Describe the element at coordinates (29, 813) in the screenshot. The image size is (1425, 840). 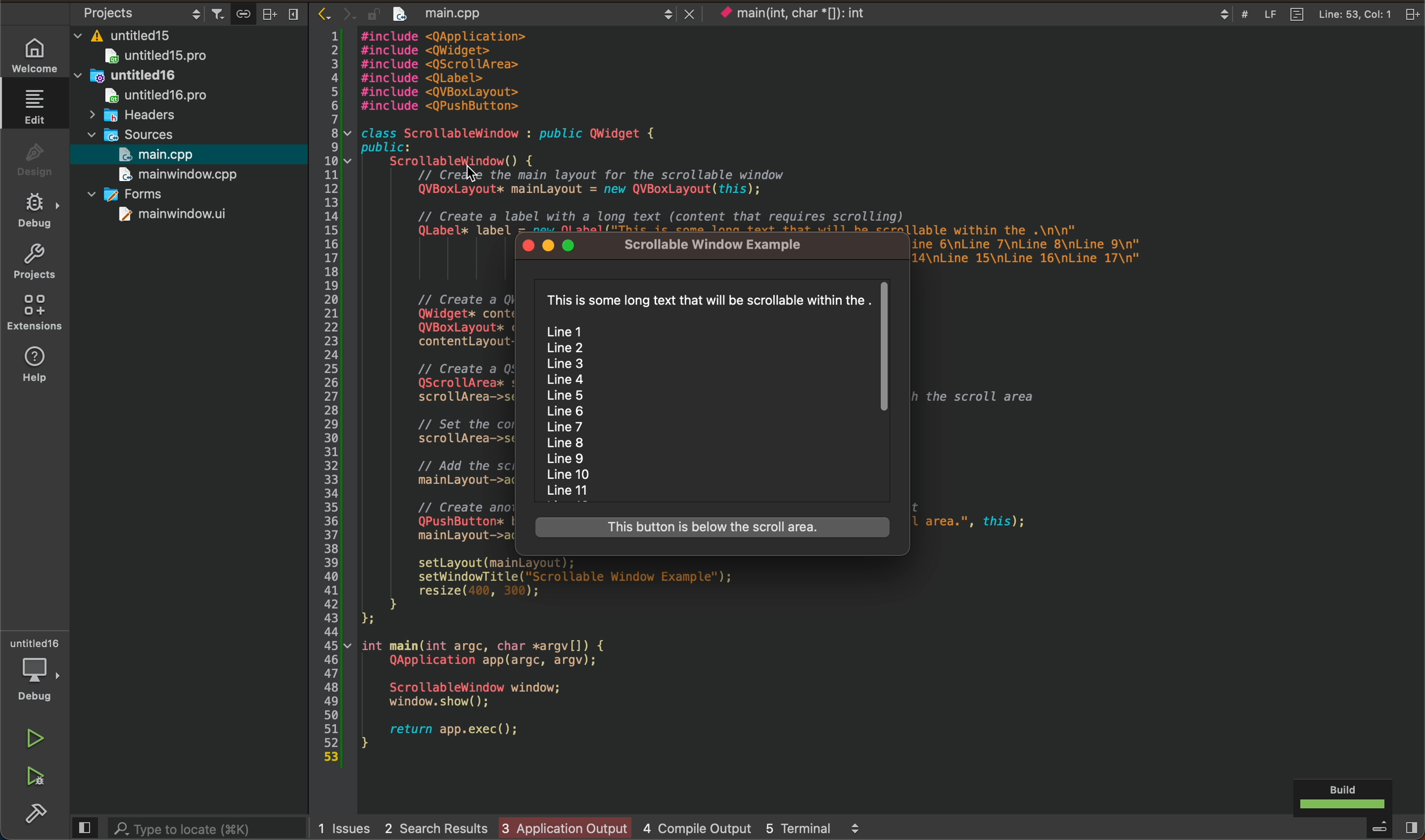
I see `build` at that location.